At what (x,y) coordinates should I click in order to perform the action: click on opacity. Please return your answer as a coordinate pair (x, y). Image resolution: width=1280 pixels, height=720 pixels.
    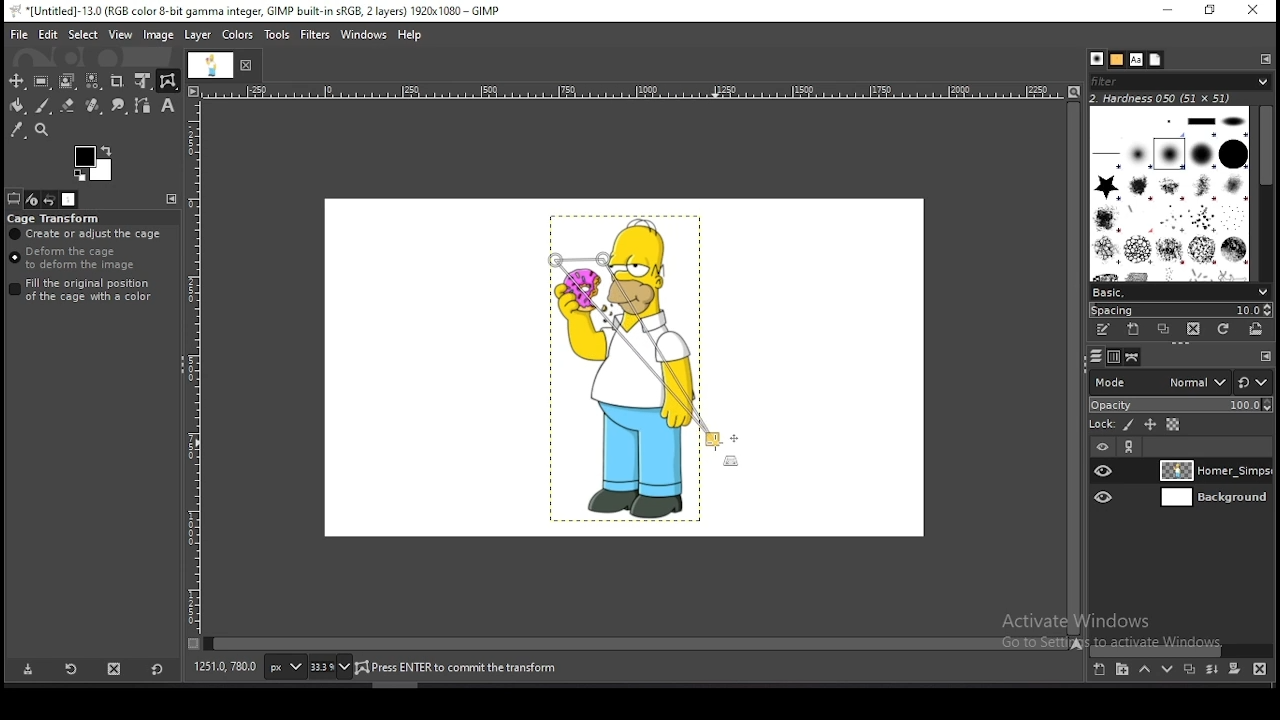
    Looking at the image, I should click on (1180, 404).